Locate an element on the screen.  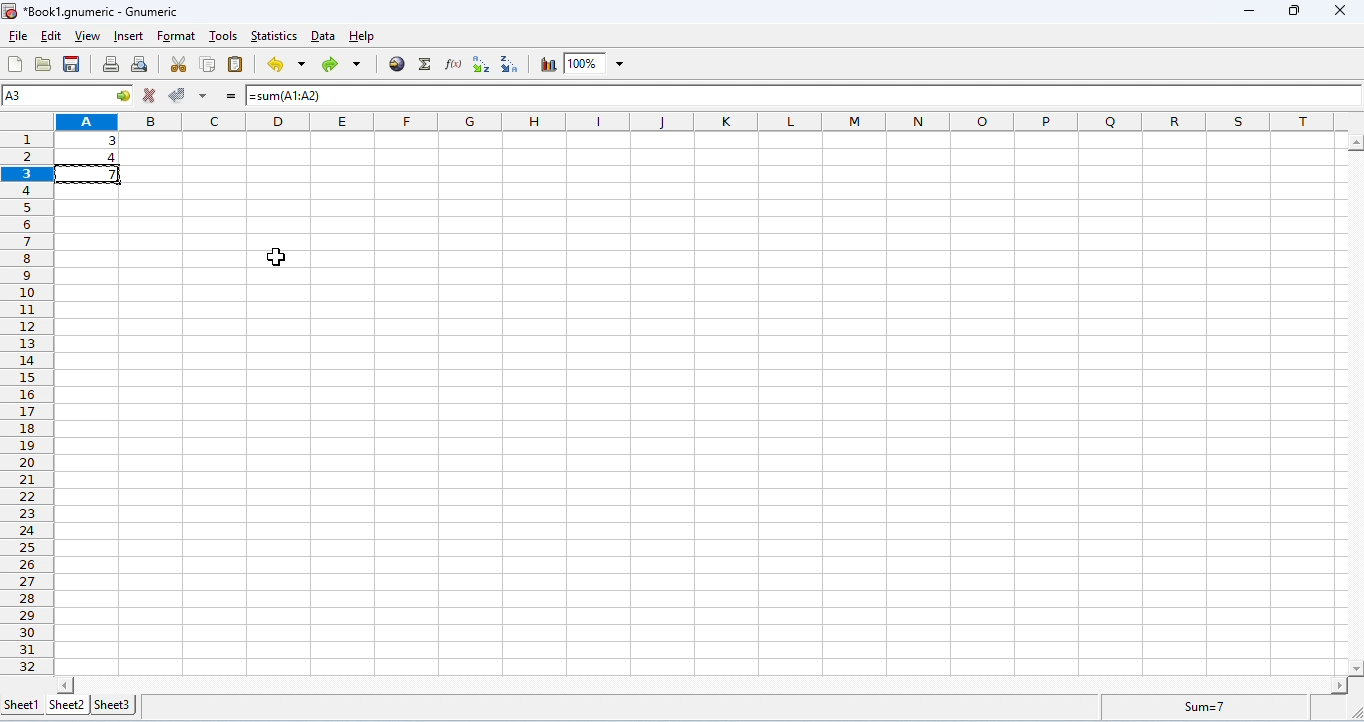
data is located at coordinates (101, 147).